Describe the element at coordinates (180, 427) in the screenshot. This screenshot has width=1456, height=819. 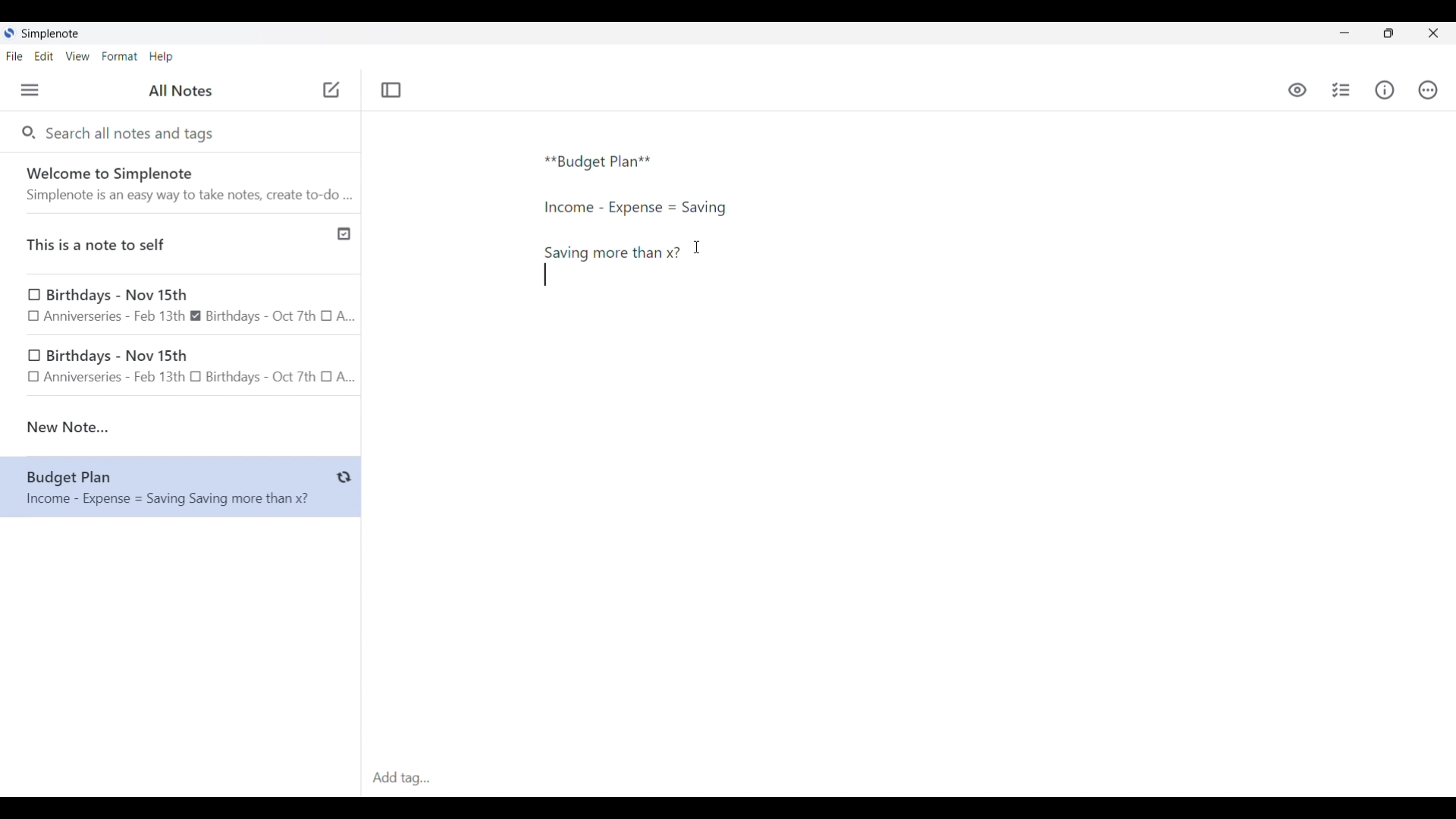
I see `new note` at that location.